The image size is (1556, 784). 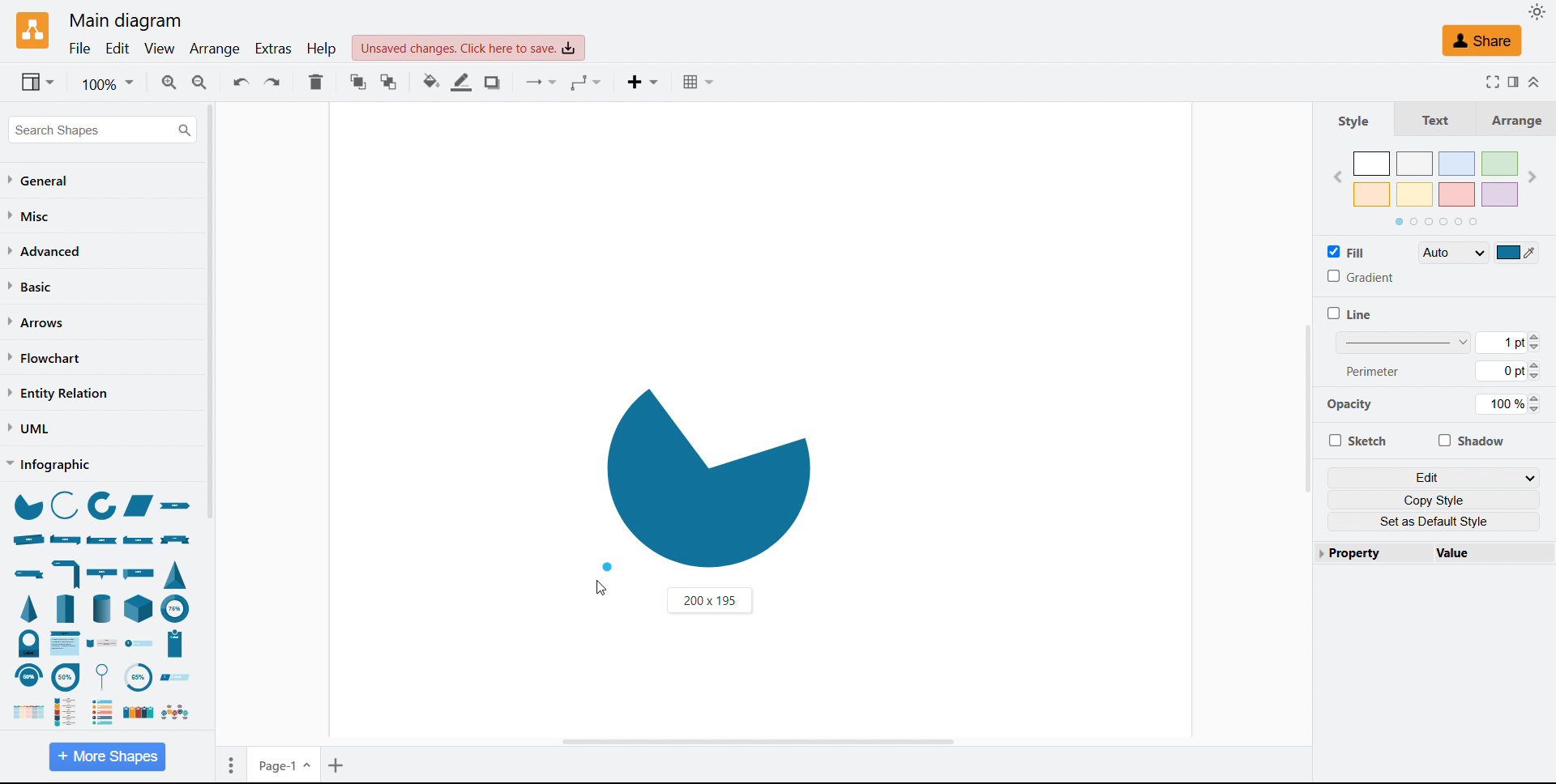 I want to click on bending arch, so click(x=28, y=676).